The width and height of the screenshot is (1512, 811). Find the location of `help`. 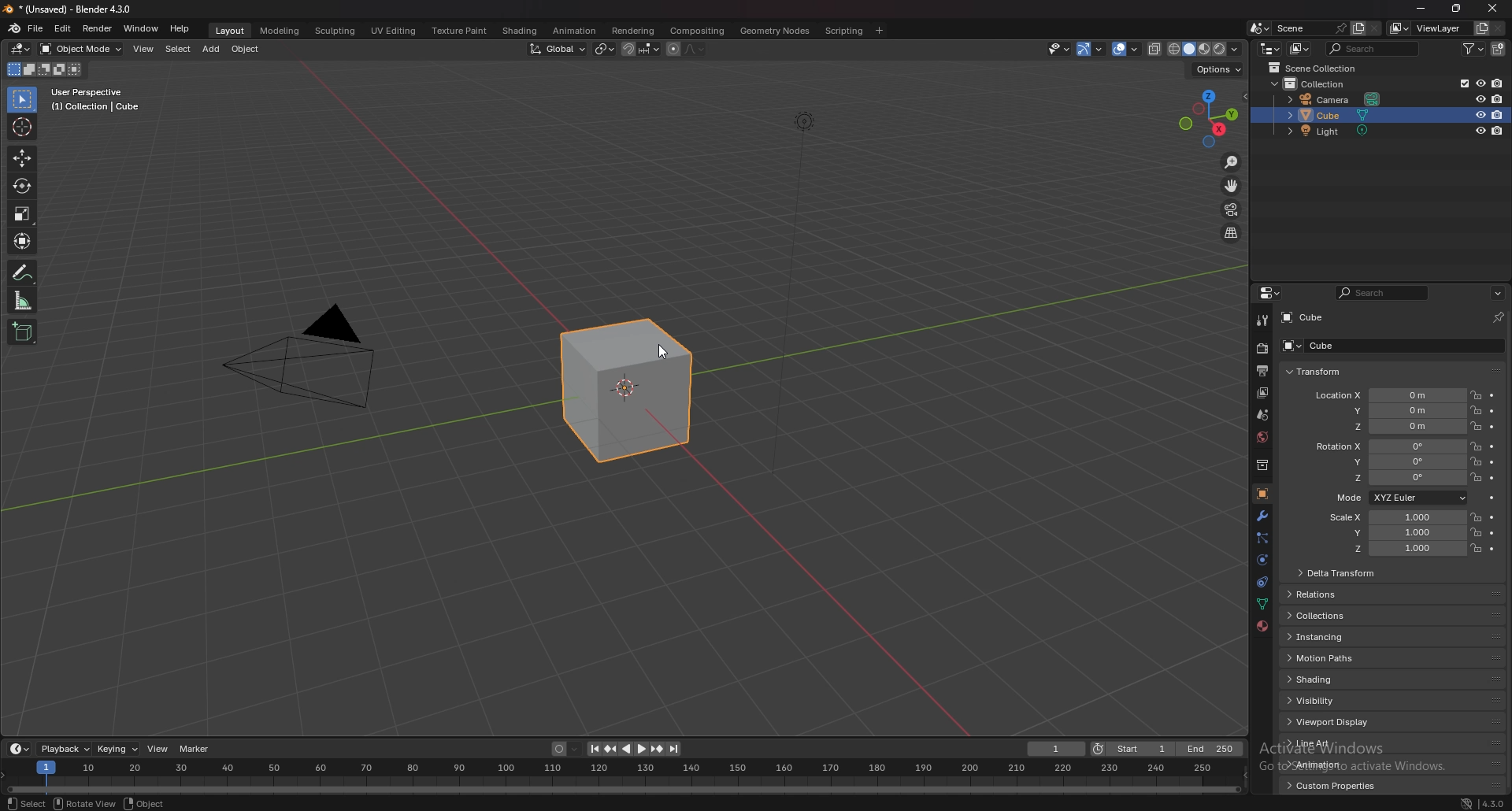

help is located at coordinates (180, 30).